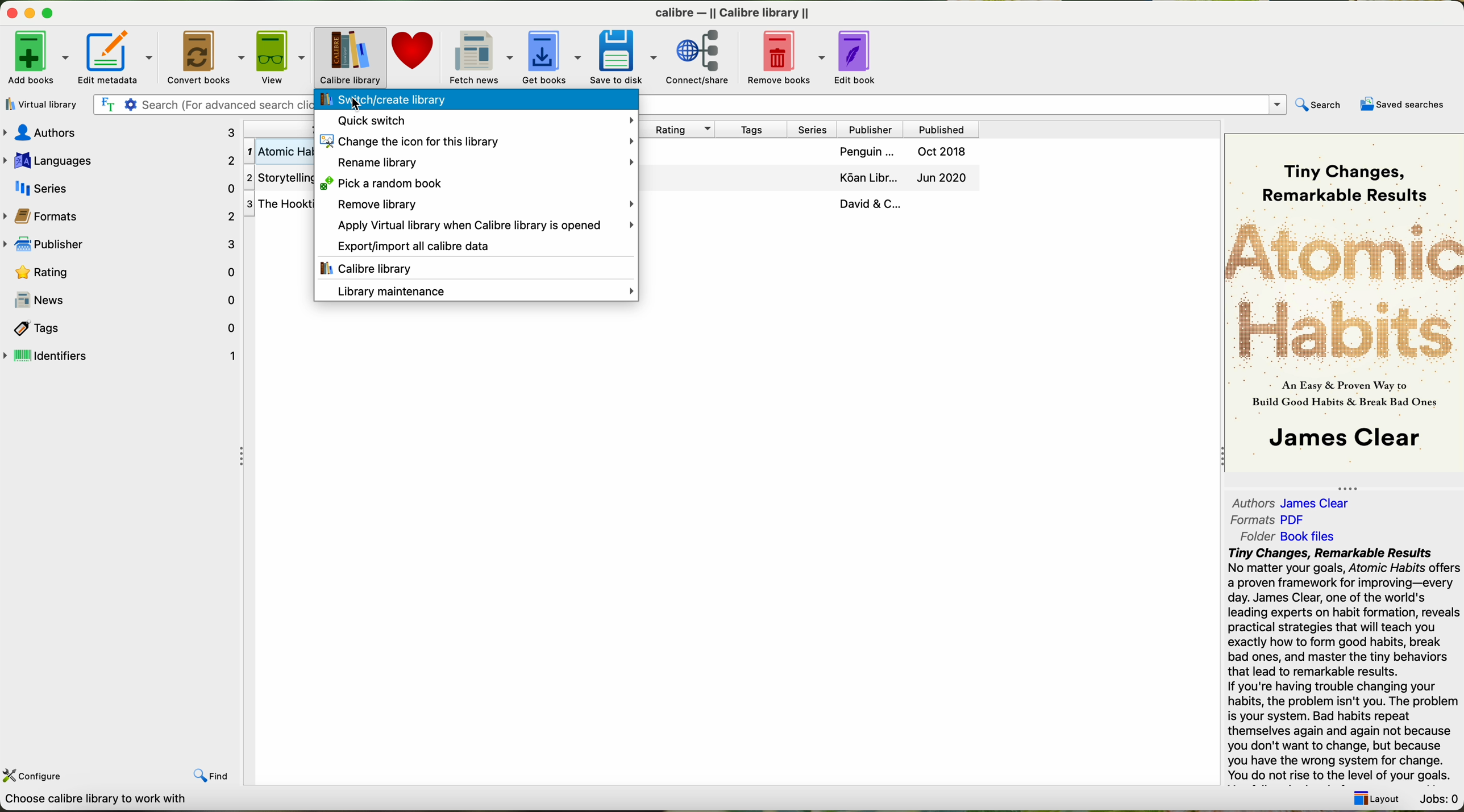 The image size is (1464, 812). I want to click on First Book Atomic Habits, so click(280, 153).